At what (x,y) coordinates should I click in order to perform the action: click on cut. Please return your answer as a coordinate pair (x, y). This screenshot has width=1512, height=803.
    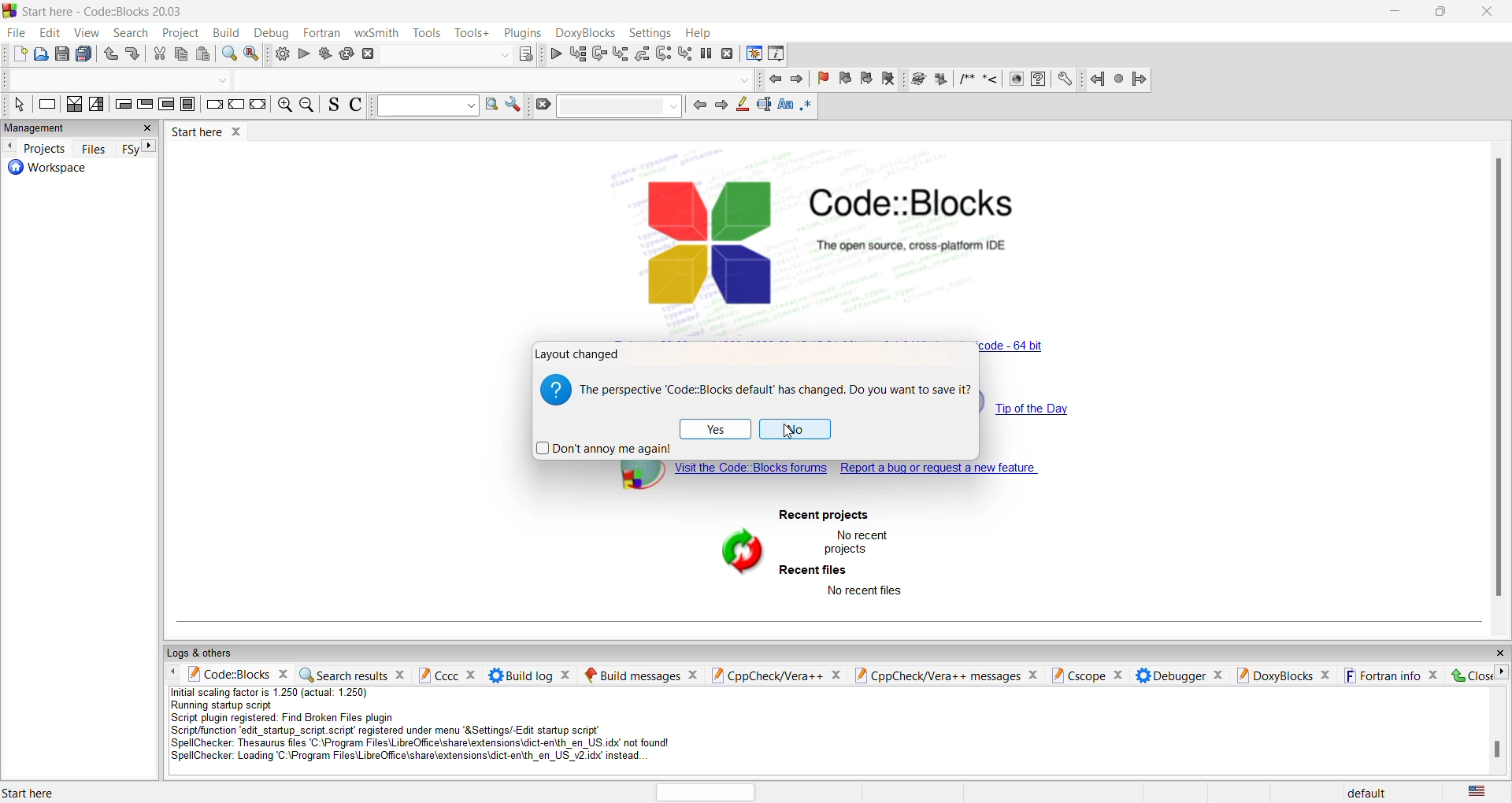
    Looking at the image, I should click on (159, 55).